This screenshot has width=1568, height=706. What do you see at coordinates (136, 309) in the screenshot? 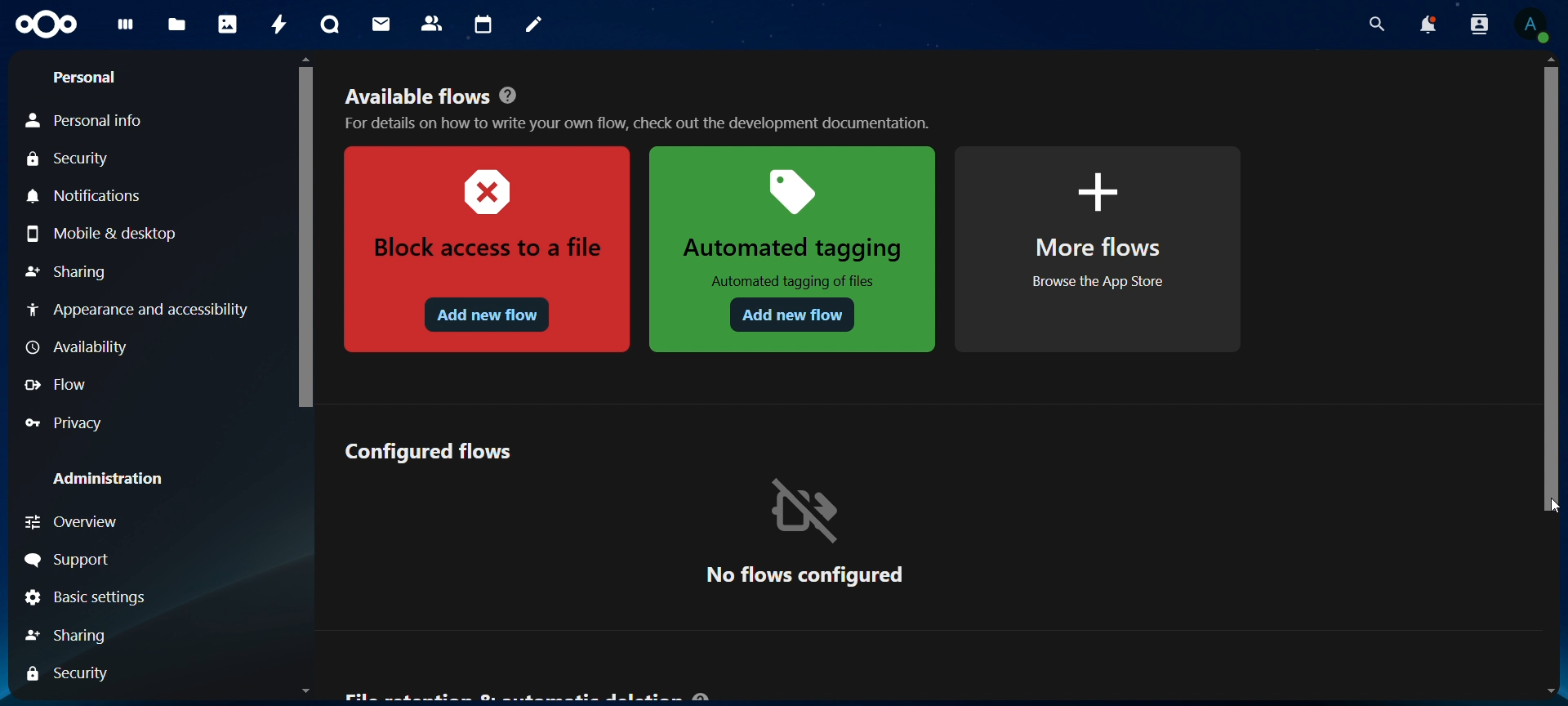
I see `appearance and accessibility` at bounding box center [136, 309].